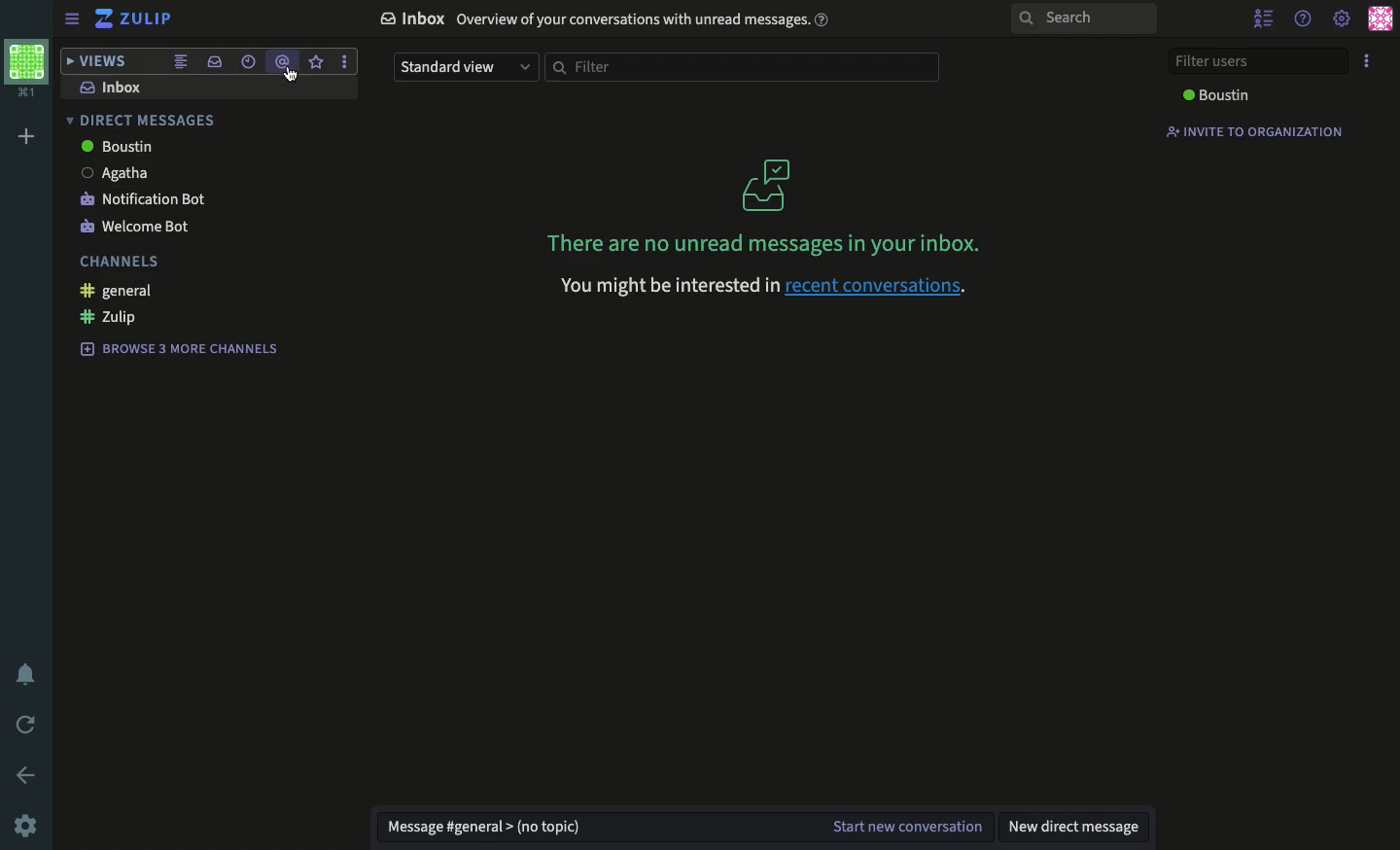  I want to click on cursor, so click(295, 74).